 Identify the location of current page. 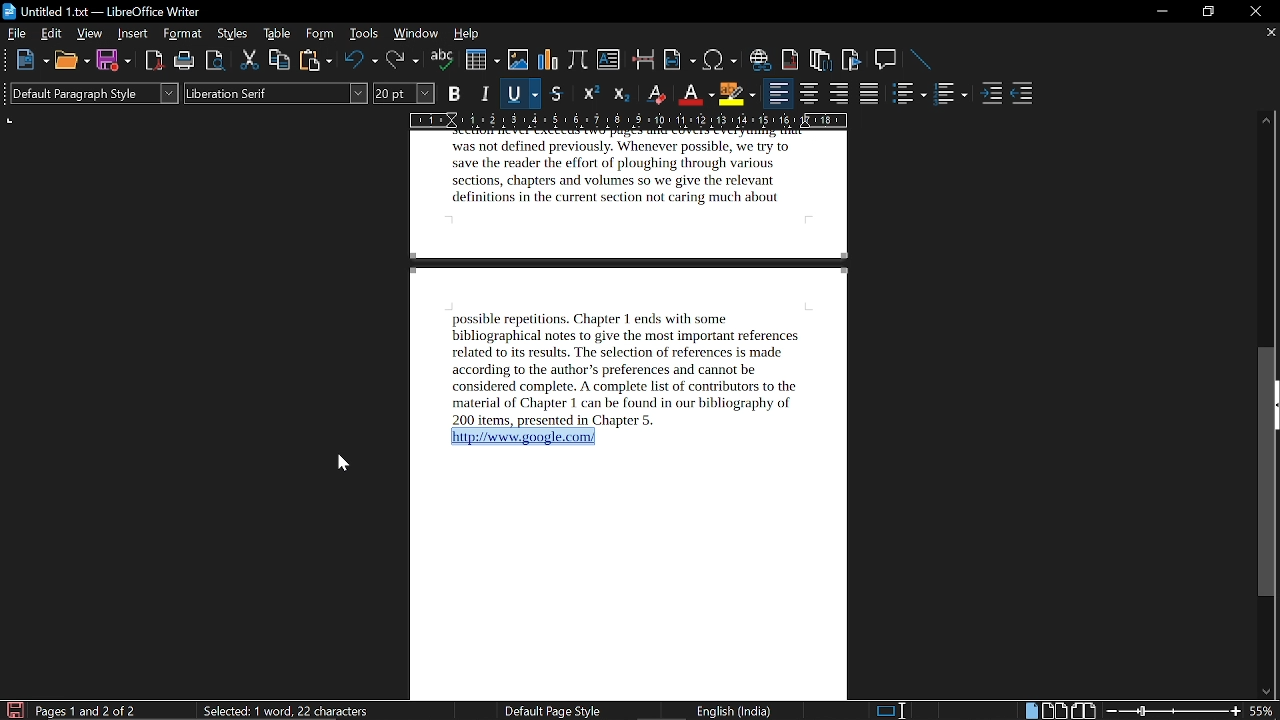
(87, 710).